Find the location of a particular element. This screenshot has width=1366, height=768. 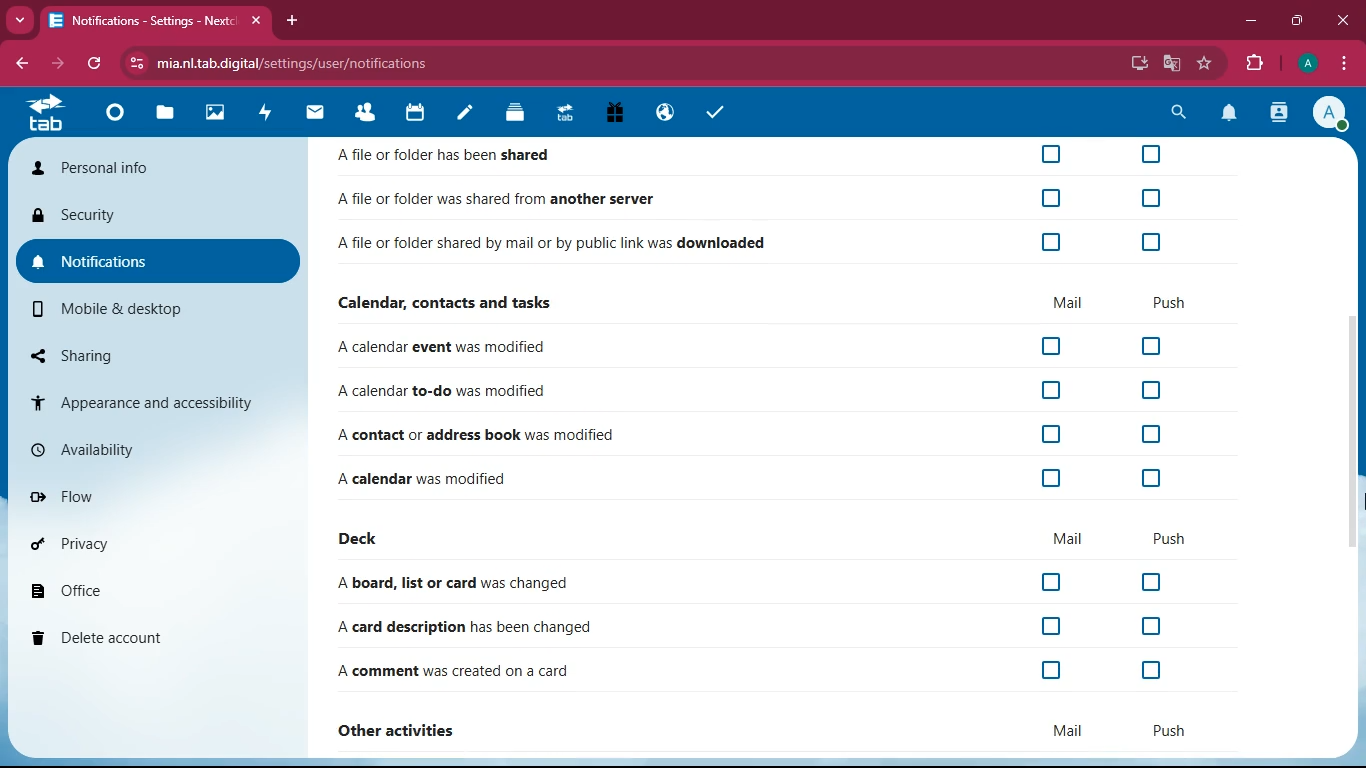

cursor is located at coordinates (1357, 499).